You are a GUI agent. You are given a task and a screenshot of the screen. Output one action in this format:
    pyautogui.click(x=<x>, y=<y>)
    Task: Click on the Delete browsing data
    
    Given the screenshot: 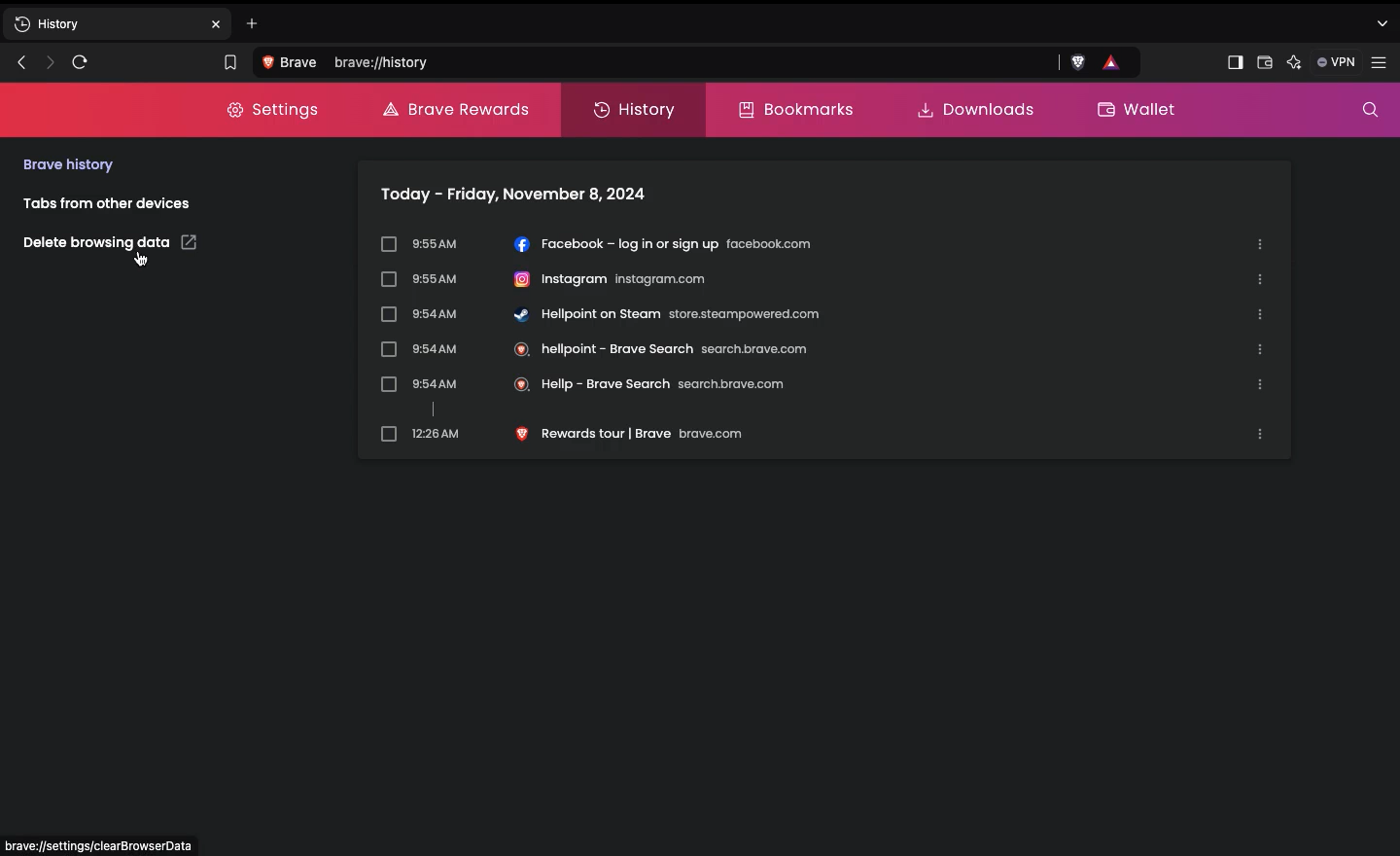 What is the action you would take?
    pyautogui.click(x=114, y=253)
    